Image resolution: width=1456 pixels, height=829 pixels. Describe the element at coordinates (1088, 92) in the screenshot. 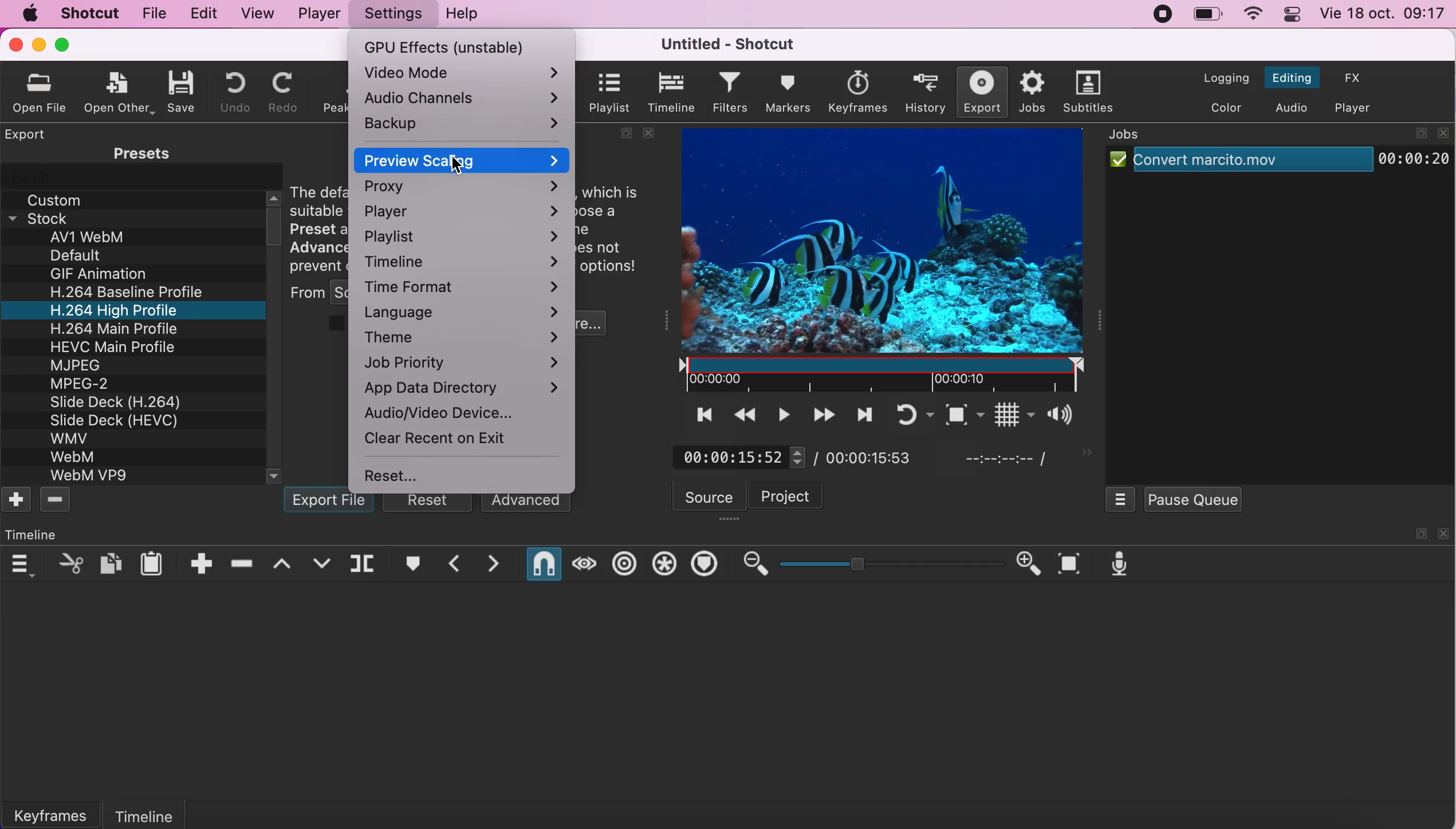

I see `subtitles` at that location.